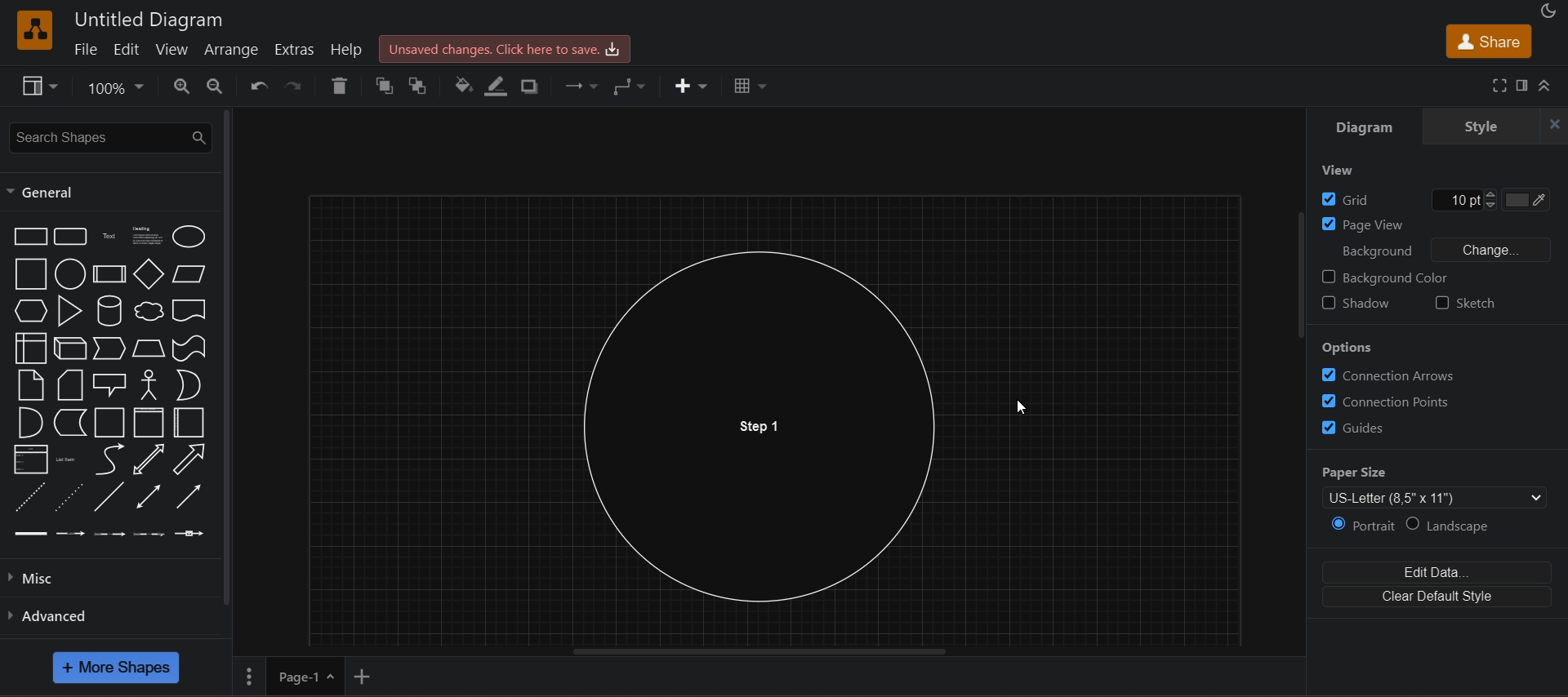 The width and height of the screenshot is (1568, 697). What do you see at coordinates (1377, 226) in the screenshot?
I see `Page View` at bounding box center [1377, 226].